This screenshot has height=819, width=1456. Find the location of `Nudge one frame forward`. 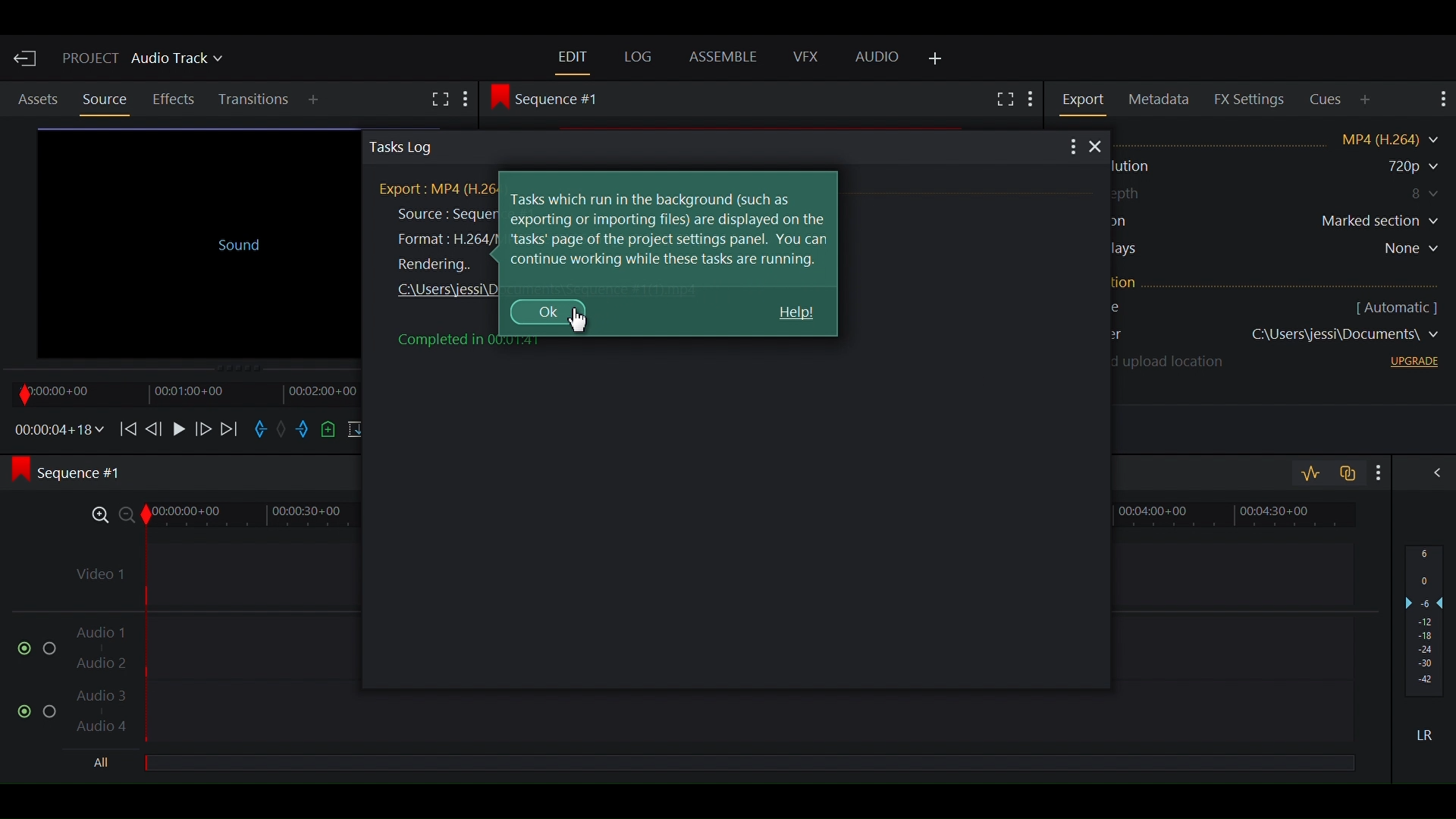

Nudge one frame forward is located at coordinates (202, 428).